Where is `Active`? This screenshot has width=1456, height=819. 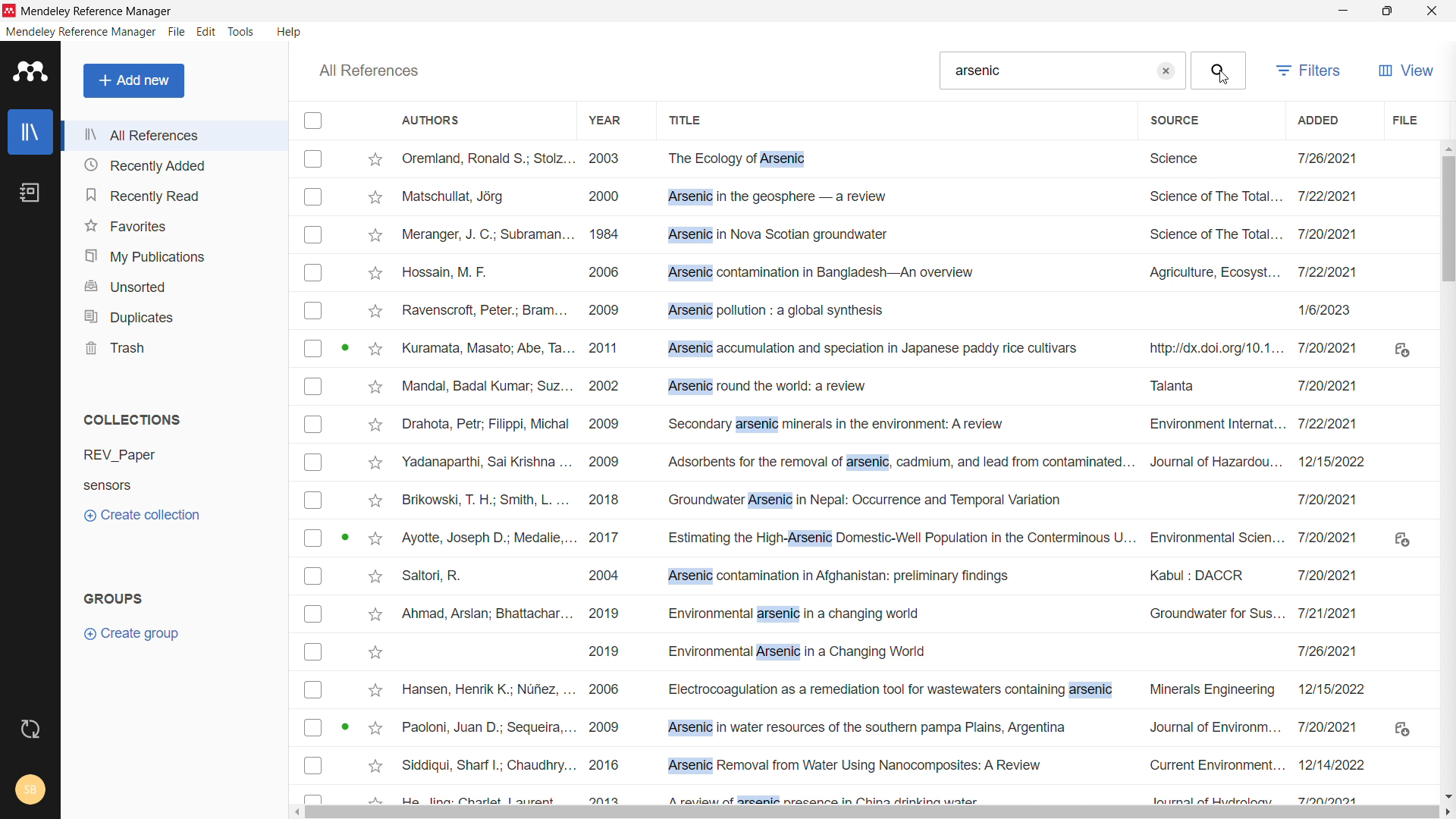 Active is located at coordinates (346, 533).